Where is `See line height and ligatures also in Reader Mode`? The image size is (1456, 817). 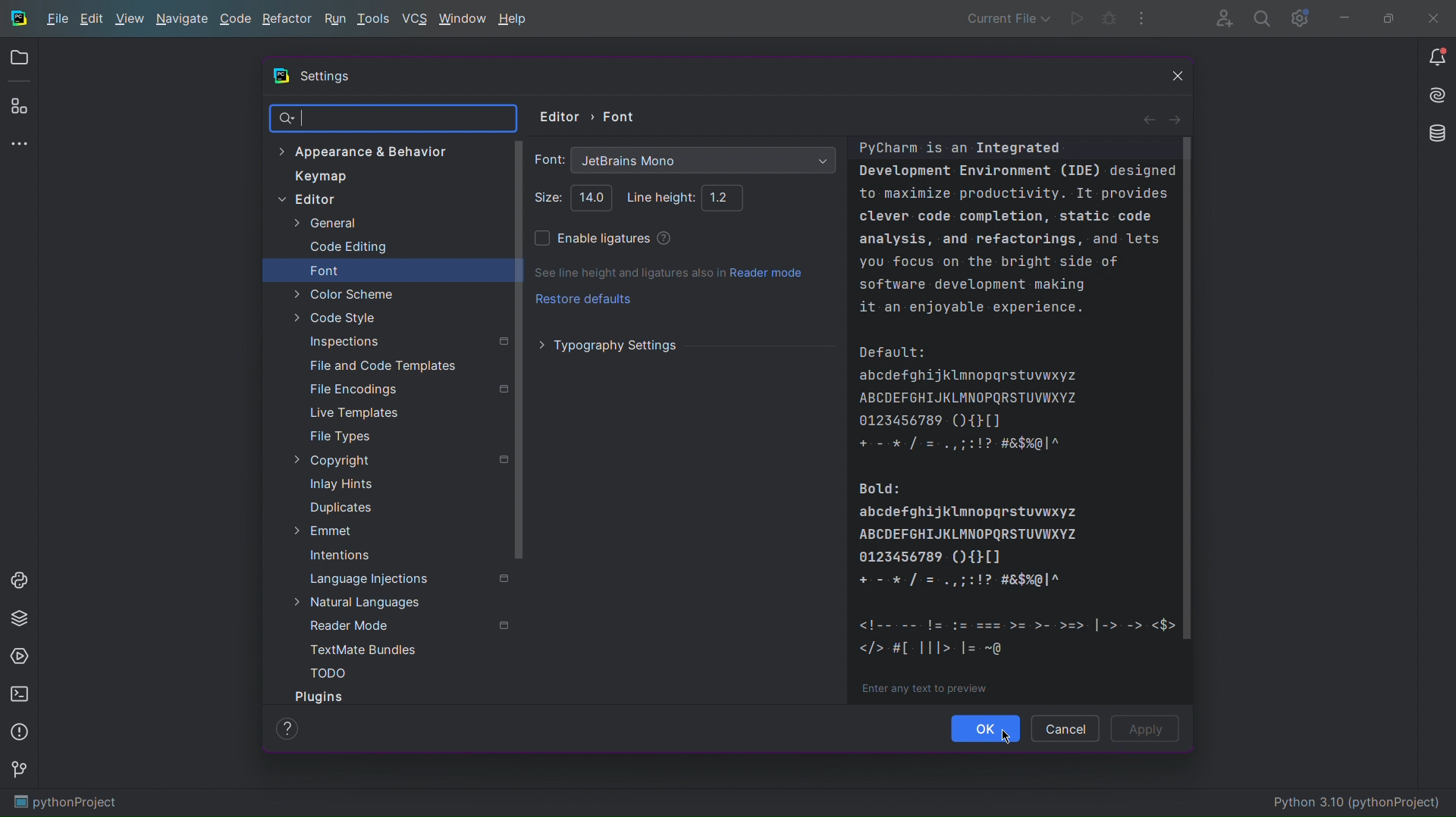
See line height and ligatures also in Reader Mode is located at coordinates (672, 274).